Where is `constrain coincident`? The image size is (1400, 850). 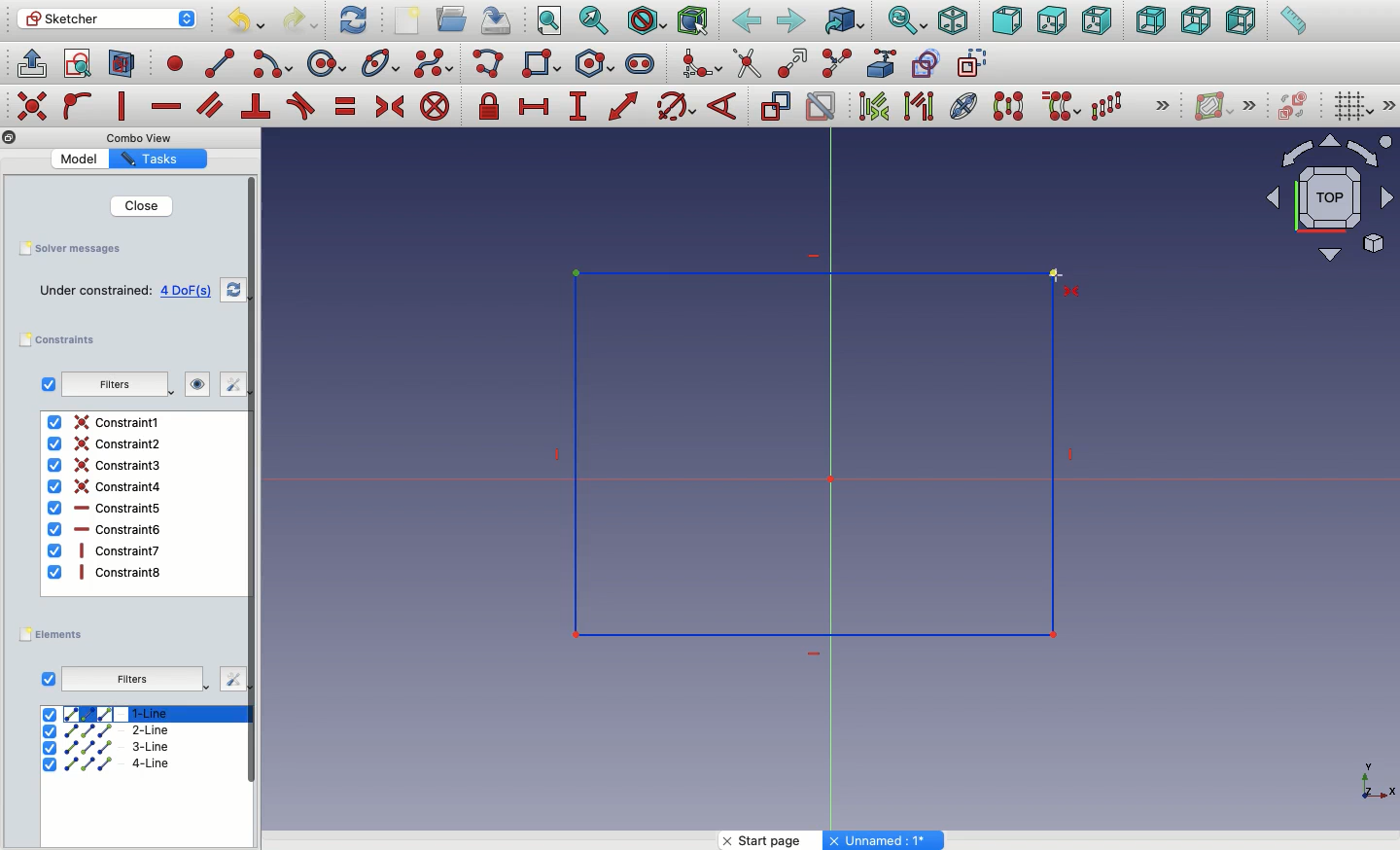
constrain coincident is located at coordinates (34, 106).